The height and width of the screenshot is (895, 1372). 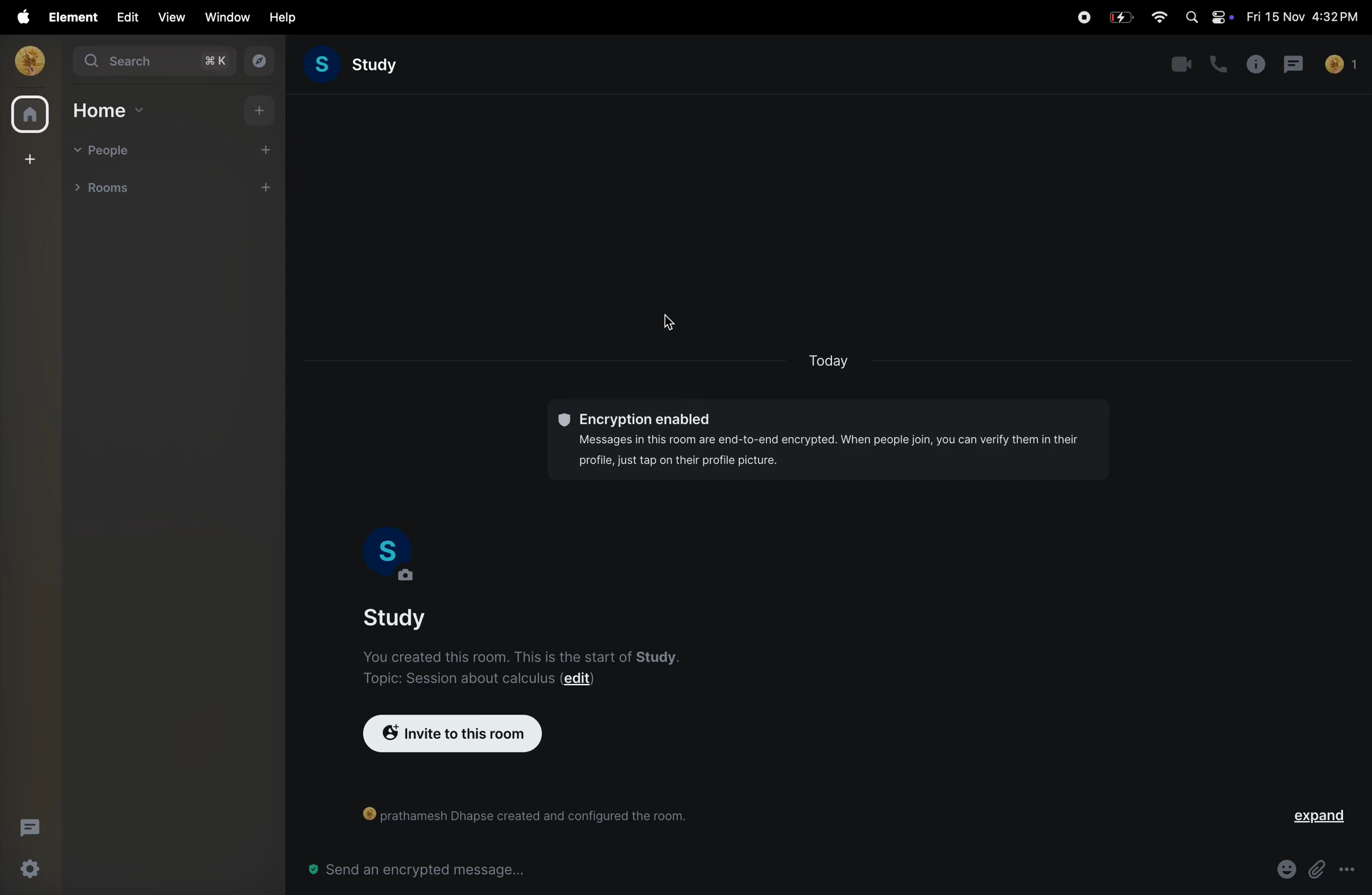 I want to click on search bar, so click(x=156, y=63).